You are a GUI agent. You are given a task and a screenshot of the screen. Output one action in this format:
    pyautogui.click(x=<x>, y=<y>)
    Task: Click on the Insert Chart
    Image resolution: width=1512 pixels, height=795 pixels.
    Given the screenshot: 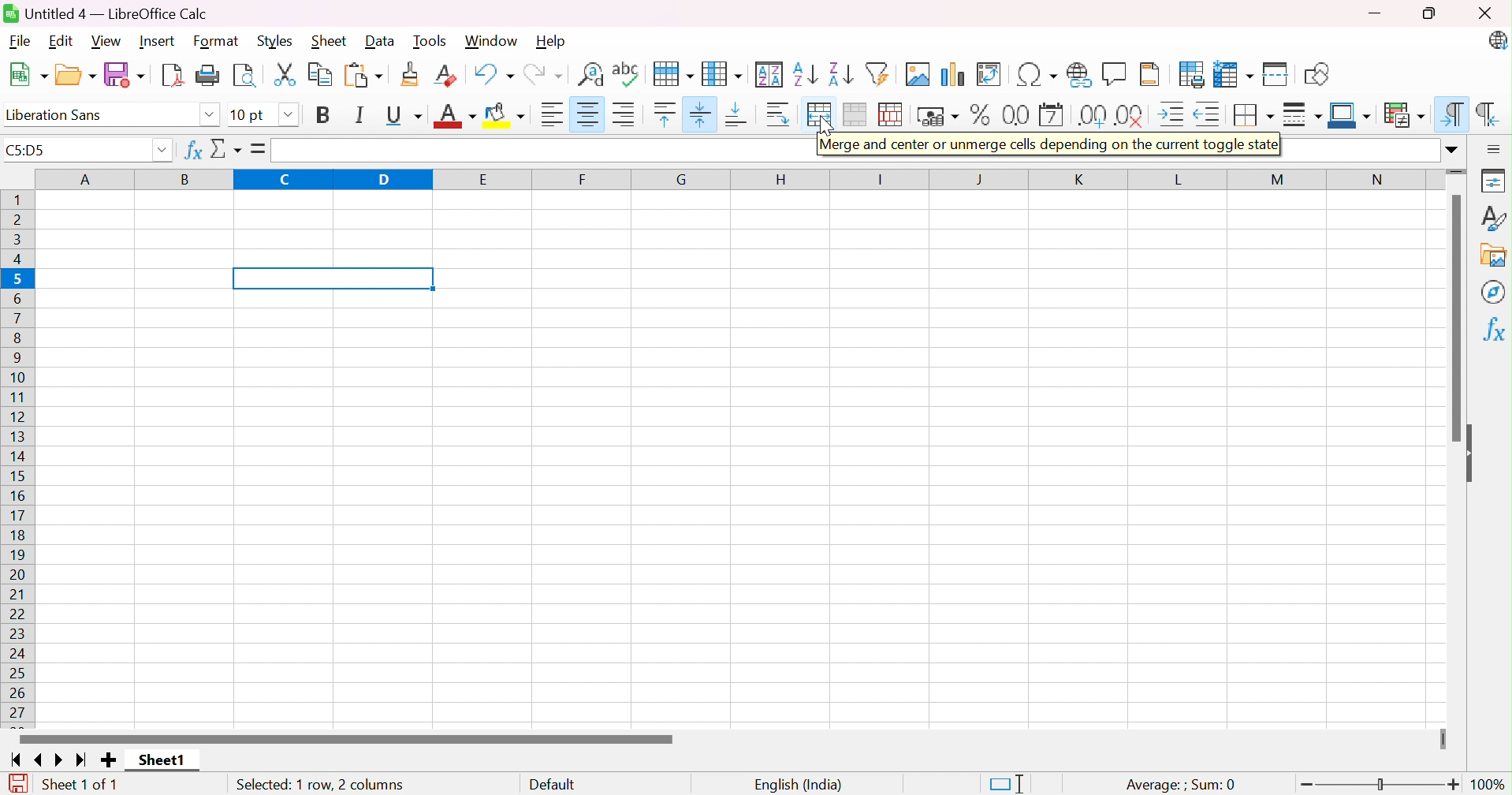 What is the action you would take?
    pyautogui.click(x=952, y=73)
    